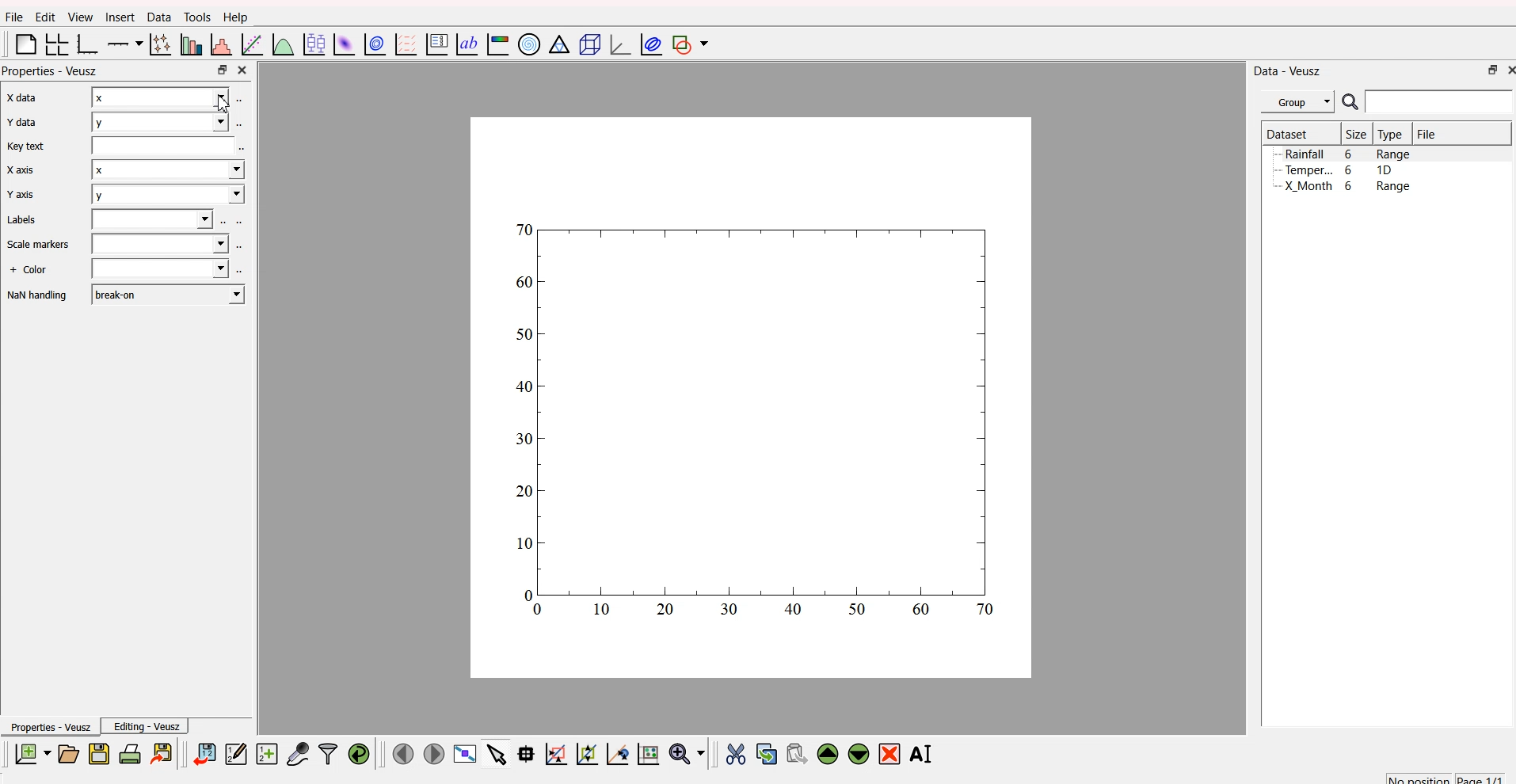 Image resolution: width=1516 pixels, height=784 pixels. I want to click on move to the next page, so click(436, 754).